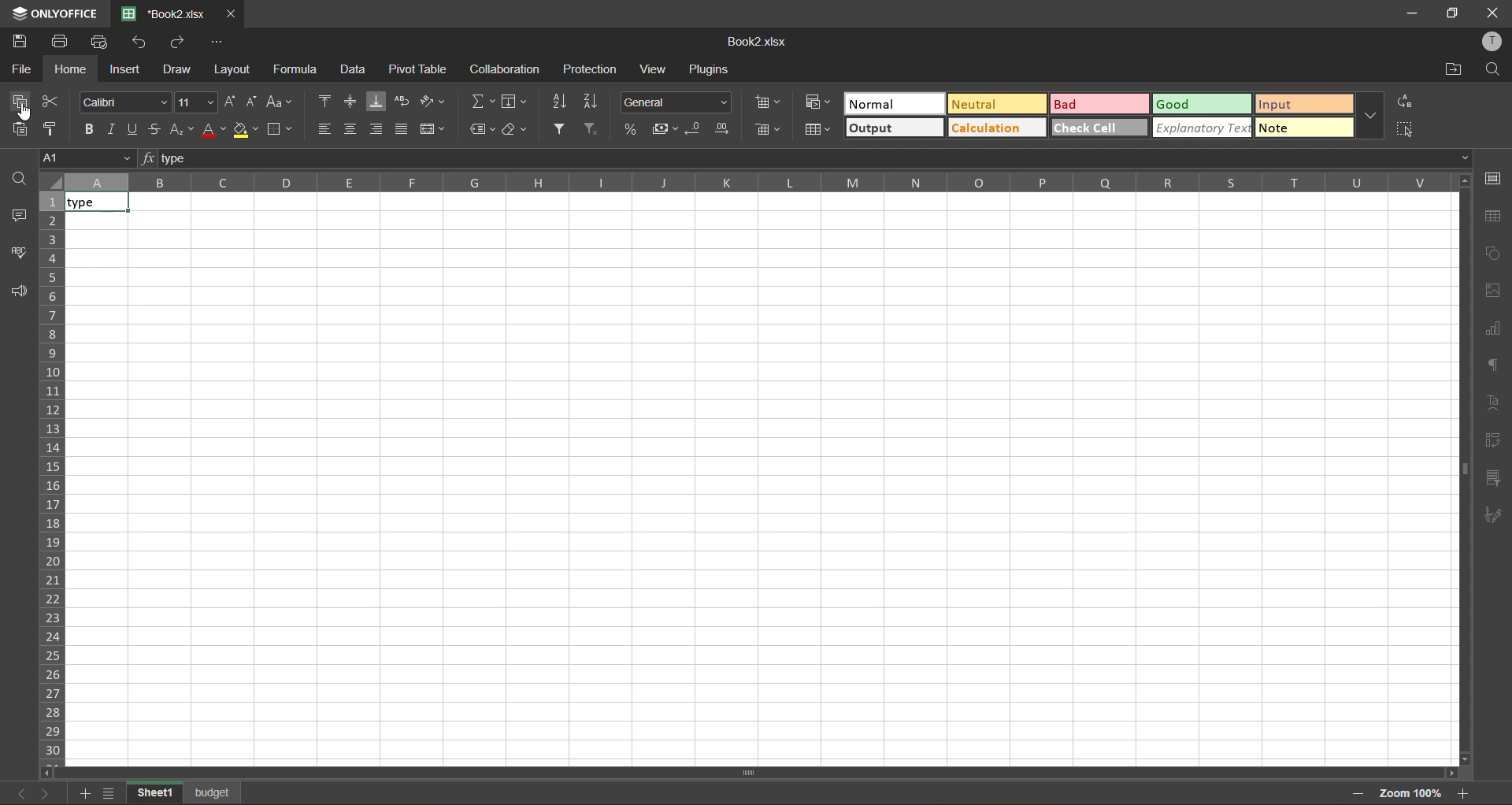 This screenshot has height=805, width=1512. What do you see at coordinates (176, 70) in the screenshot?
I see `draw` at bounding box center [176, 70].